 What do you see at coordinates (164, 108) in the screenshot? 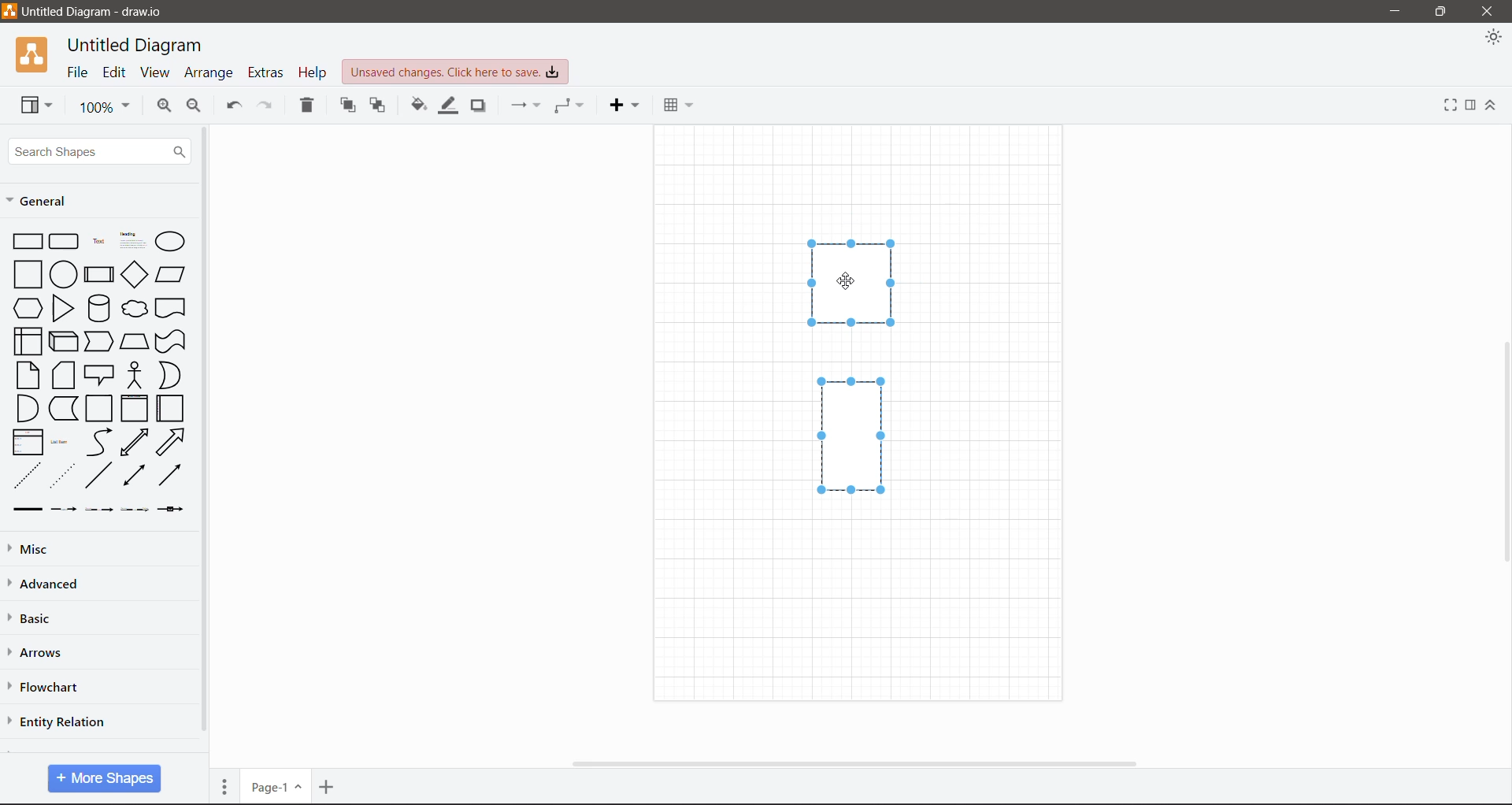
I see `Zoom In` at bounding box center [164, 108].